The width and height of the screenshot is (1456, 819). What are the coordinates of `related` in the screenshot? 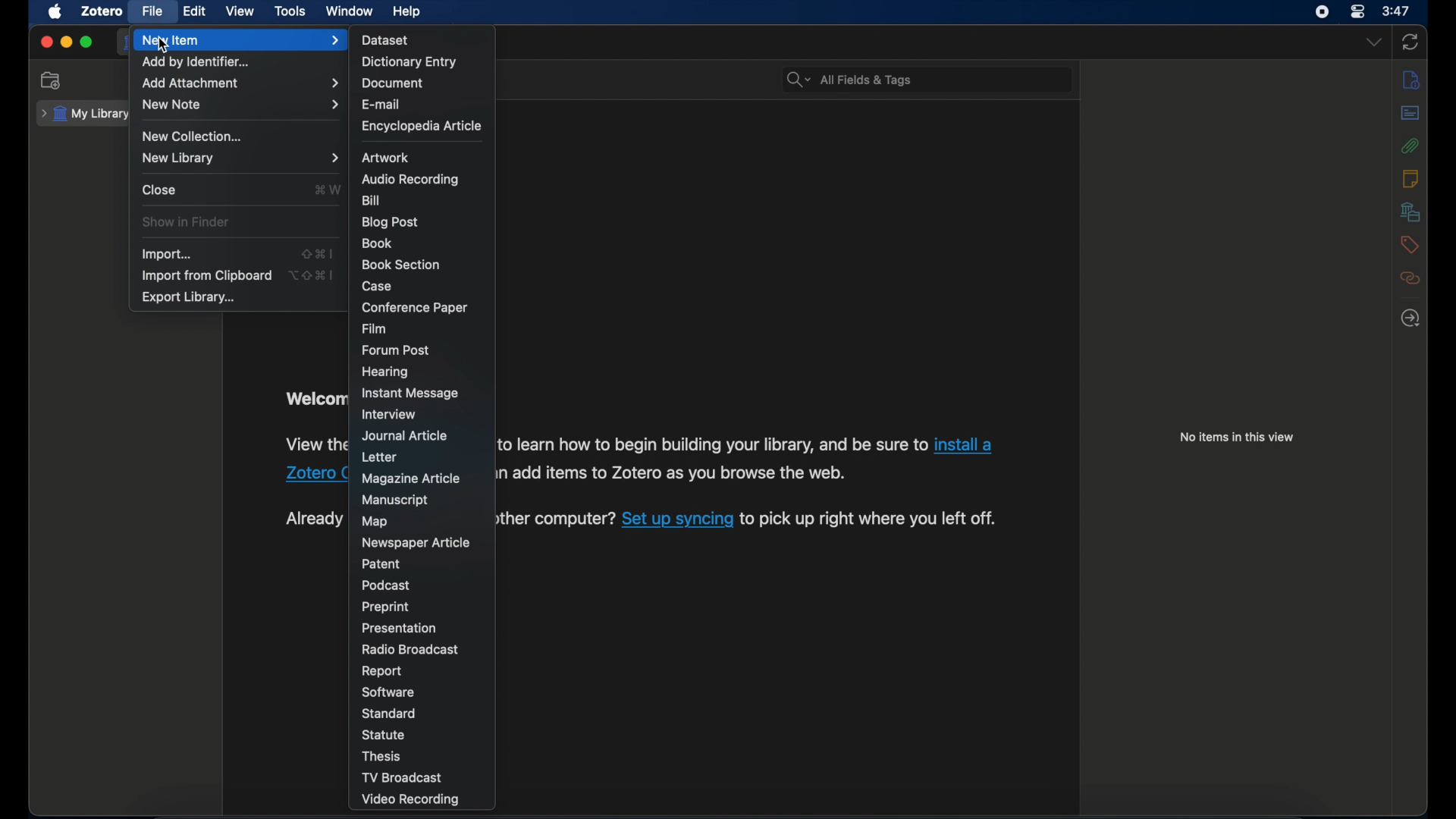 It's located at (1411, 278).